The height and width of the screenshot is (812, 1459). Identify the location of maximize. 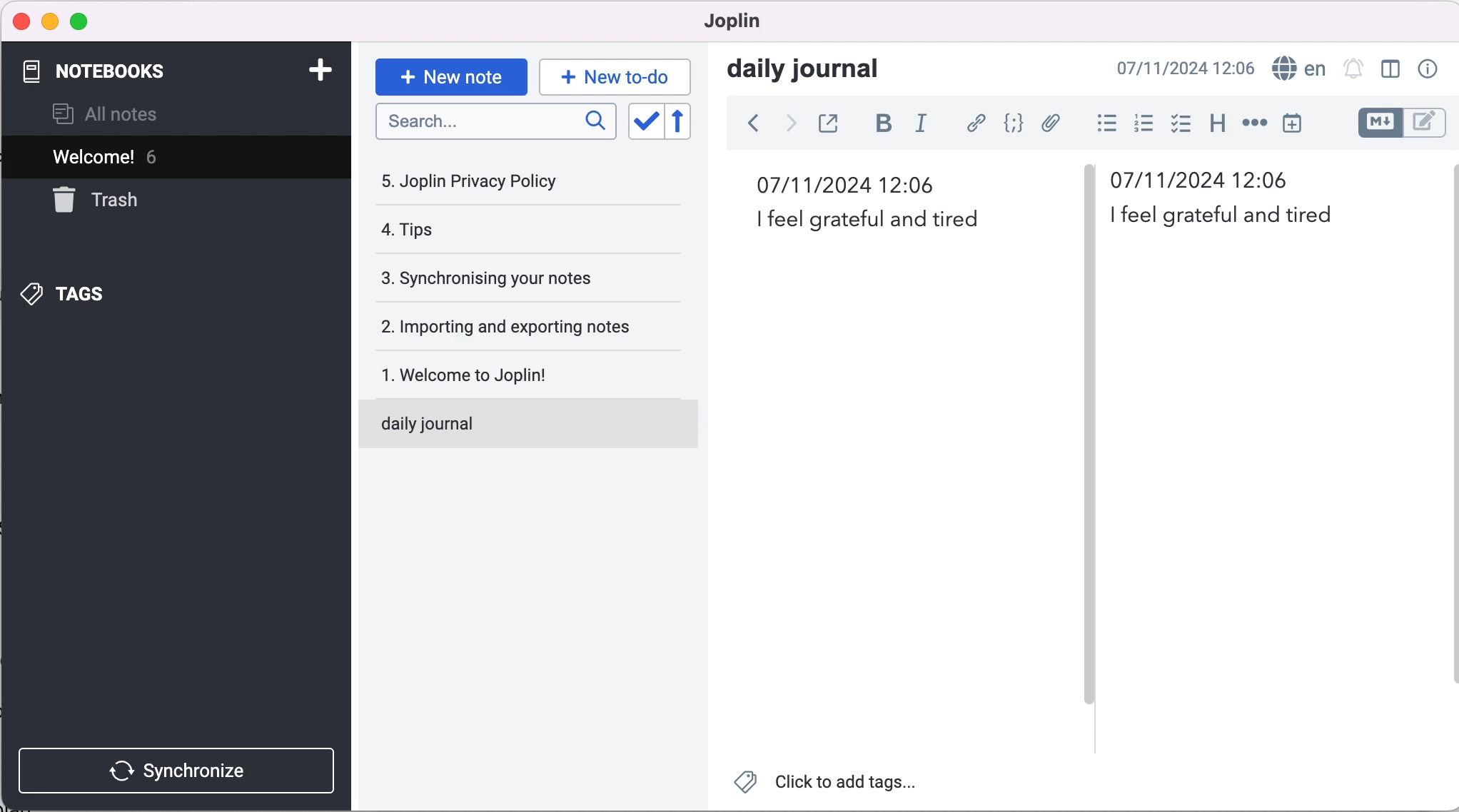
(83, 21).